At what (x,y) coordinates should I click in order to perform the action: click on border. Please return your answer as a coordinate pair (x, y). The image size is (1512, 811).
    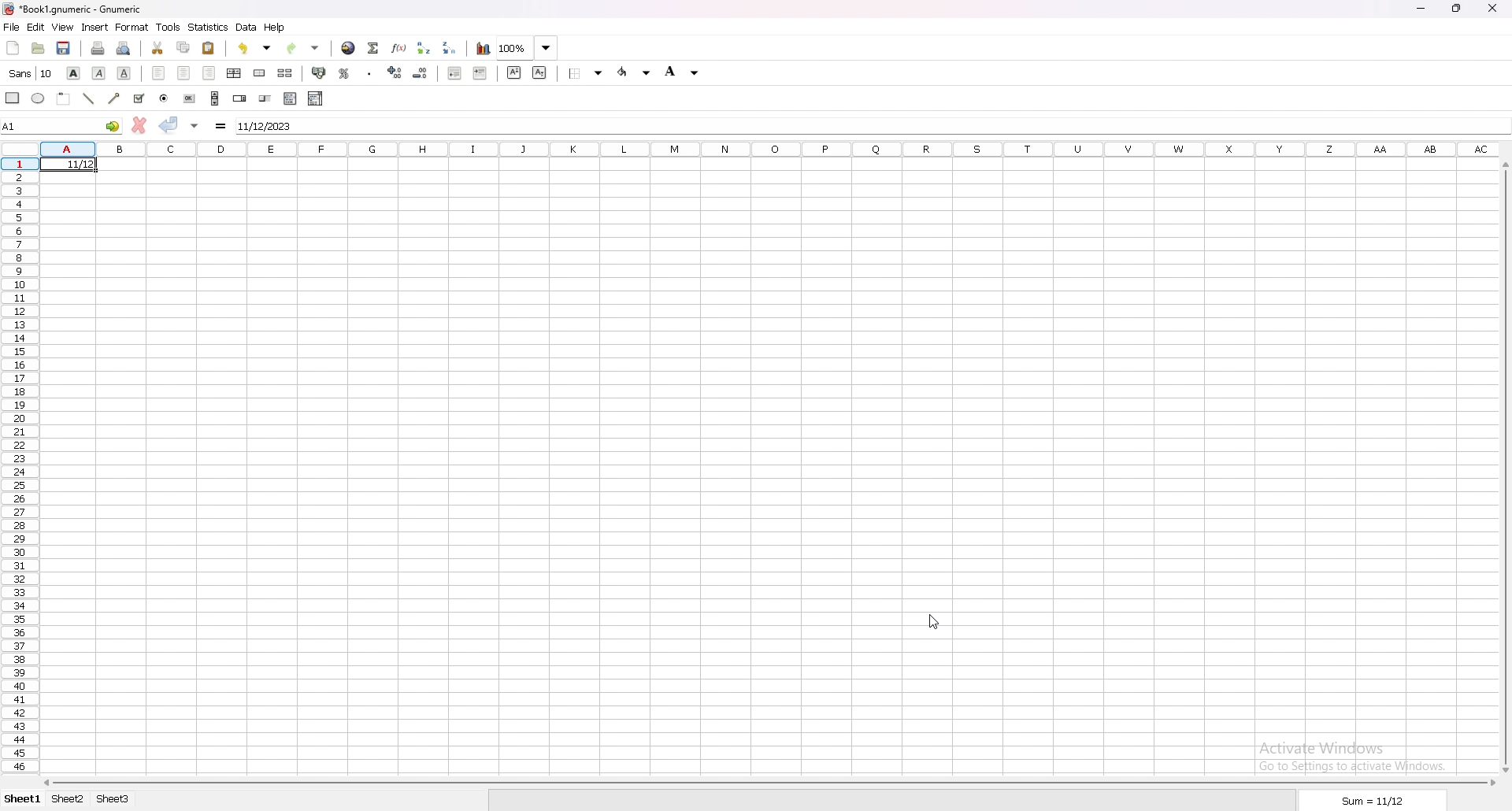
    Looking at the image, I should click on (586, 74).